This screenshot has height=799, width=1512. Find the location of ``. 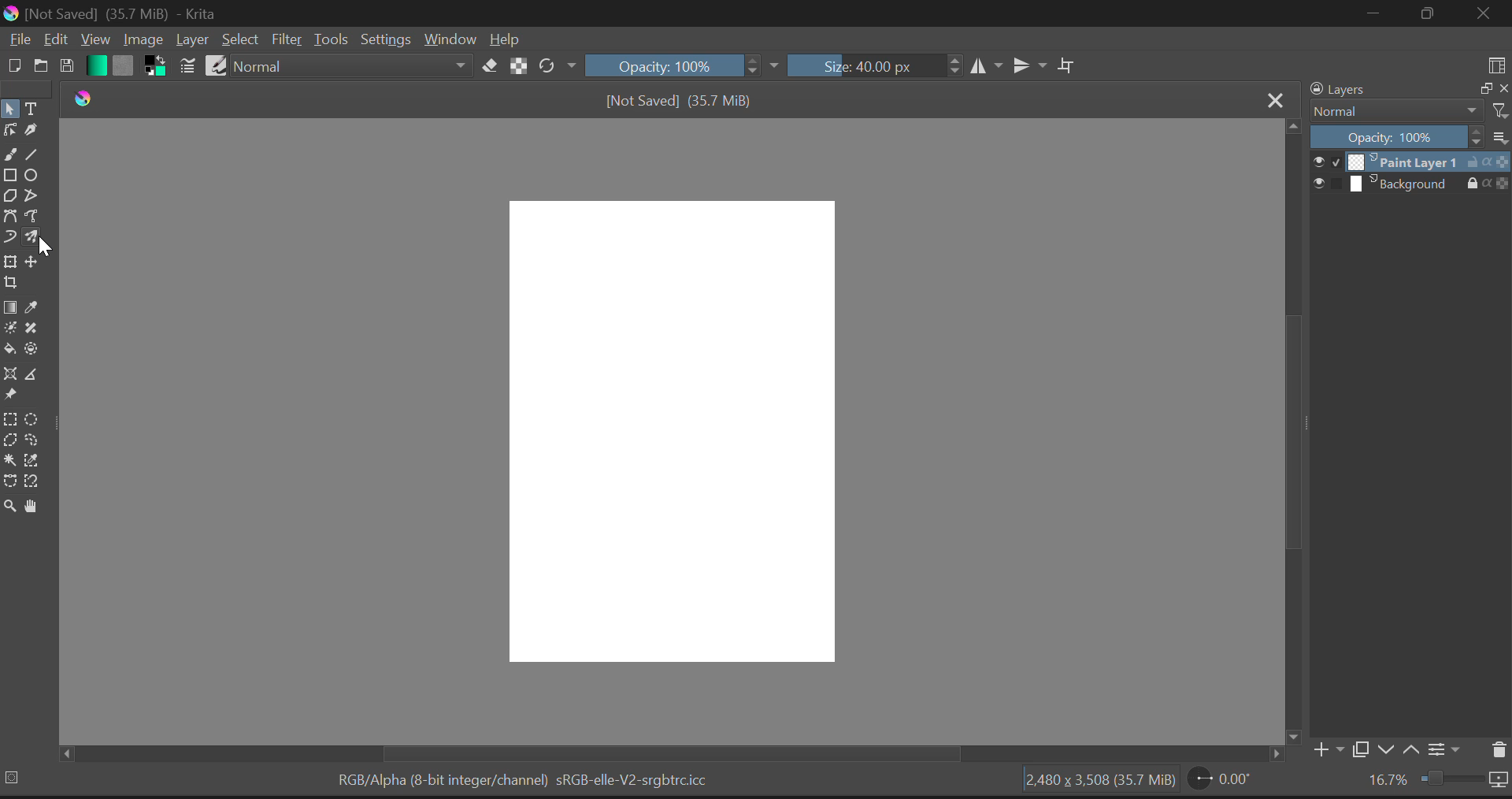

 is located at coordinates (65, 750).